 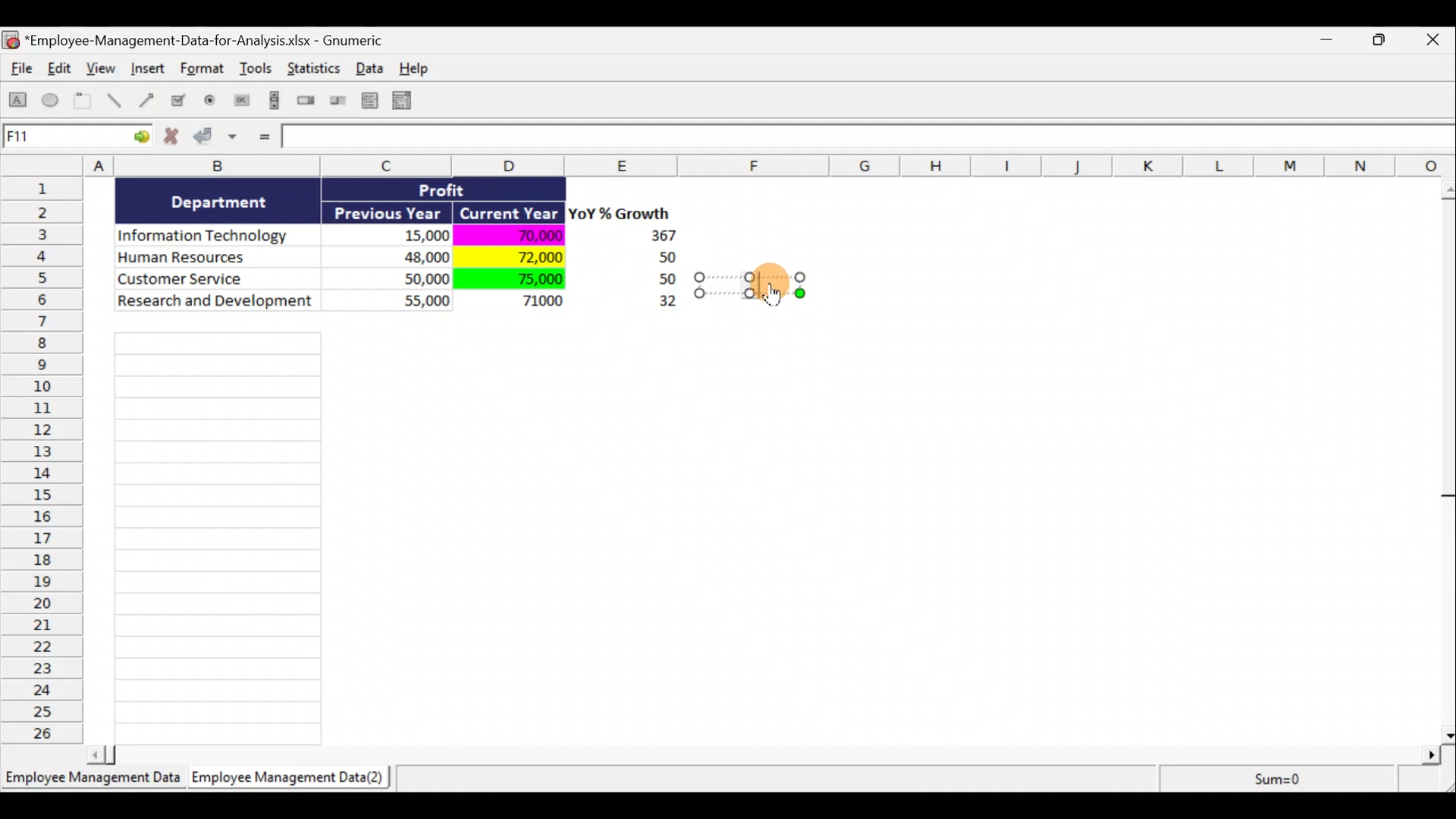 What do you see at coordinates (218, 142) in the screenshot?
I see `Accept changes` at bounding box center [218, 142].